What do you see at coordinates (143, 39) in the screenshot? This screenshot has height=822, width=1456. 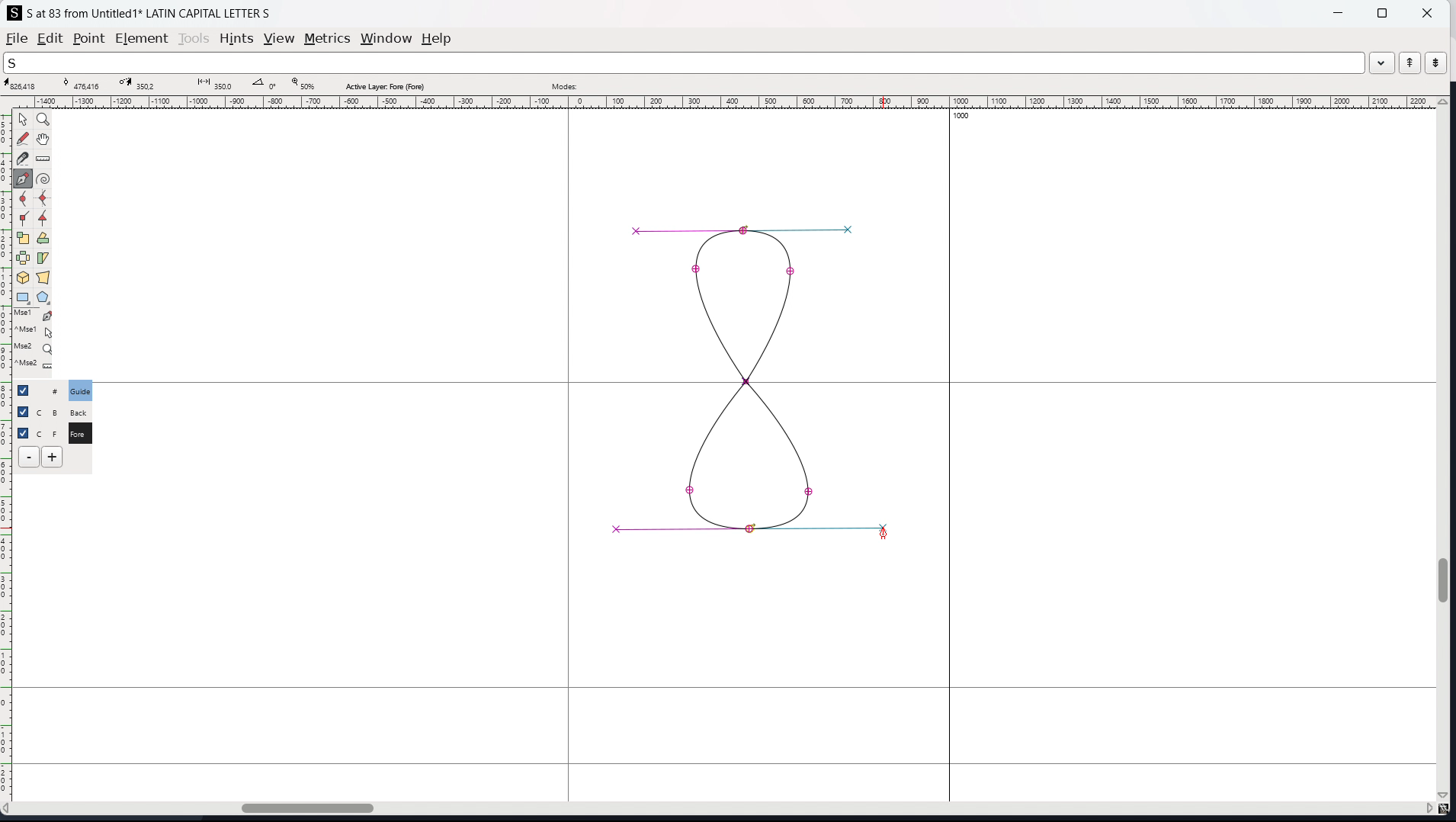 I see `element` at bounding box center [143, 39].